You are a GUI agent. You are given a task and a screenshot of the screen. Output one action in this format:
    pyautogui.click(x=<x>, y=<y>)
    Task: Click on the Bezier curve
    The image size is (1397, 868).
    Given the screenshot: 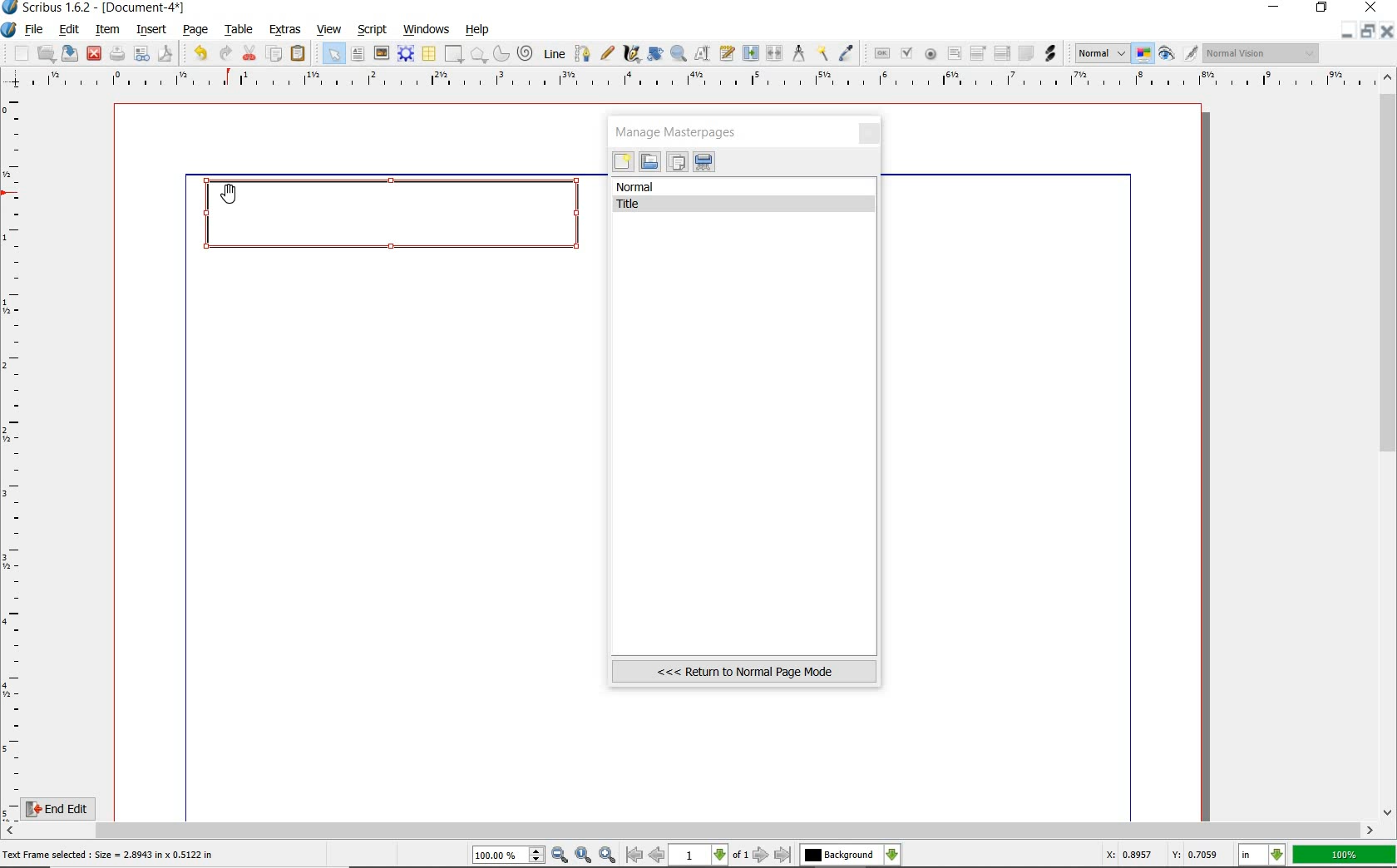 What is the action you would take?
    pyautogui.click(x=580, y=53)
    